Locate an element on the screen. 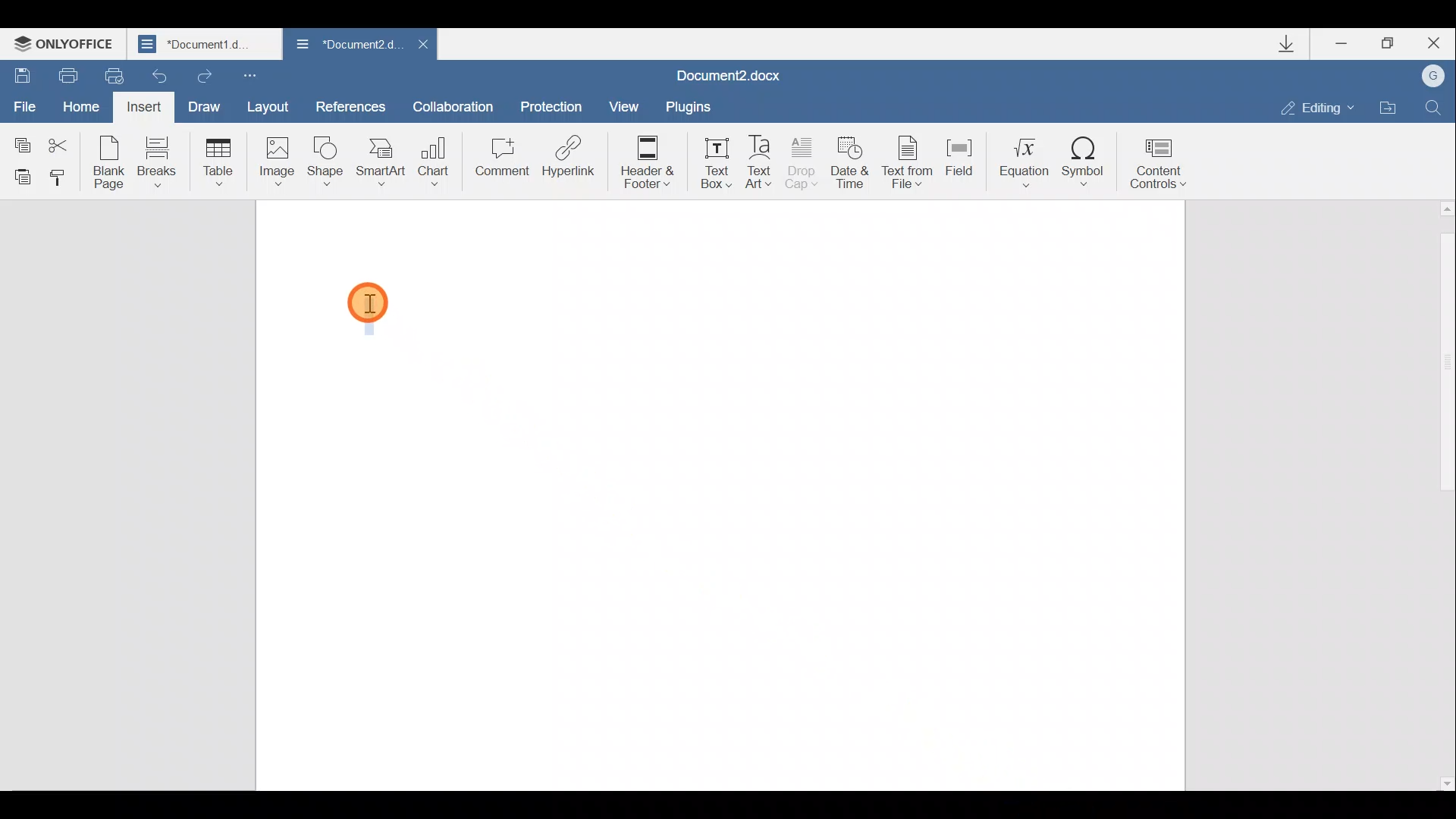 The width and height of the screenshot is (1456, 819). Text from file is located at coordinates (909, 165).